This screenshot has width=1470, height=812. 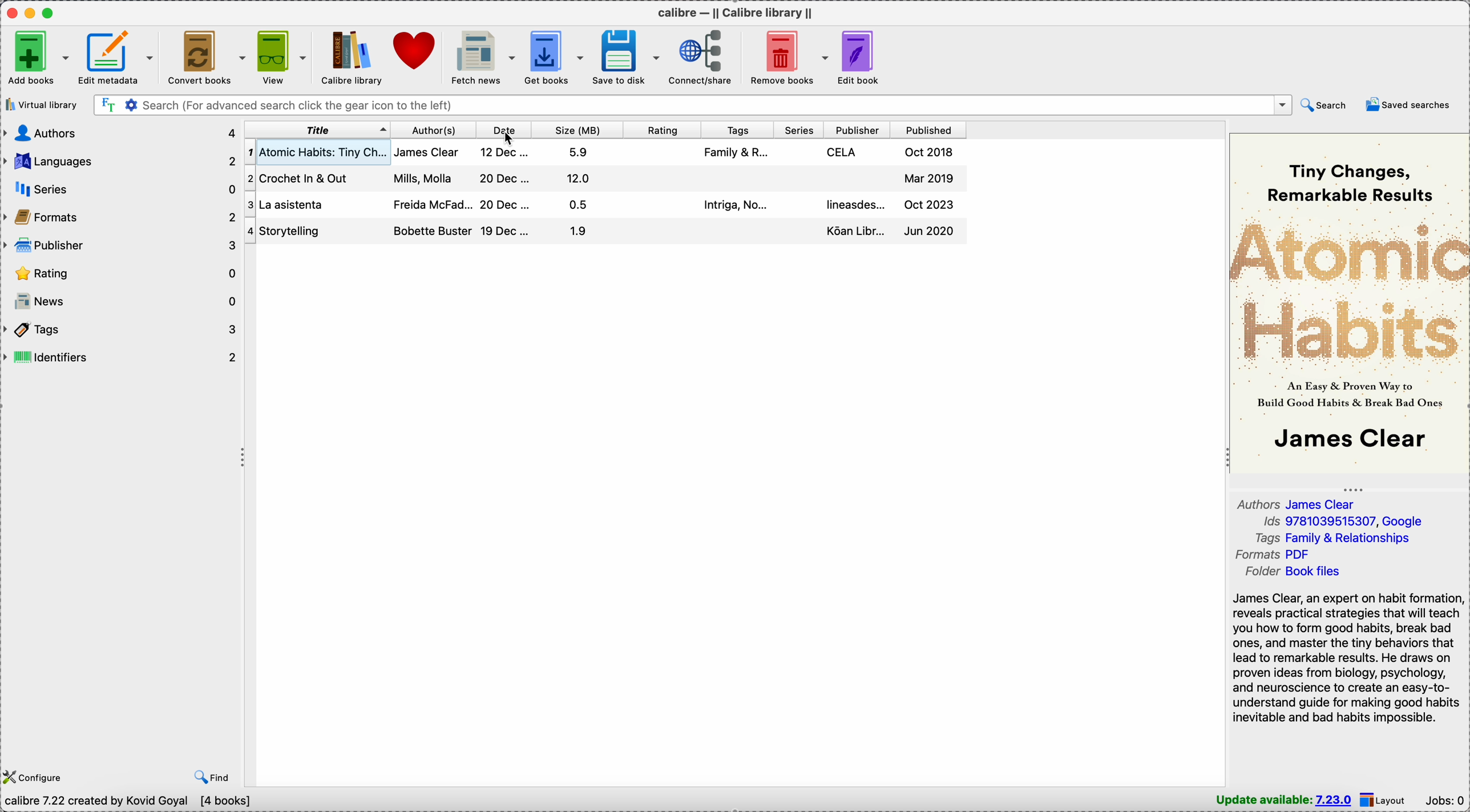 I want to click on authors, so click(x=120, y=134).